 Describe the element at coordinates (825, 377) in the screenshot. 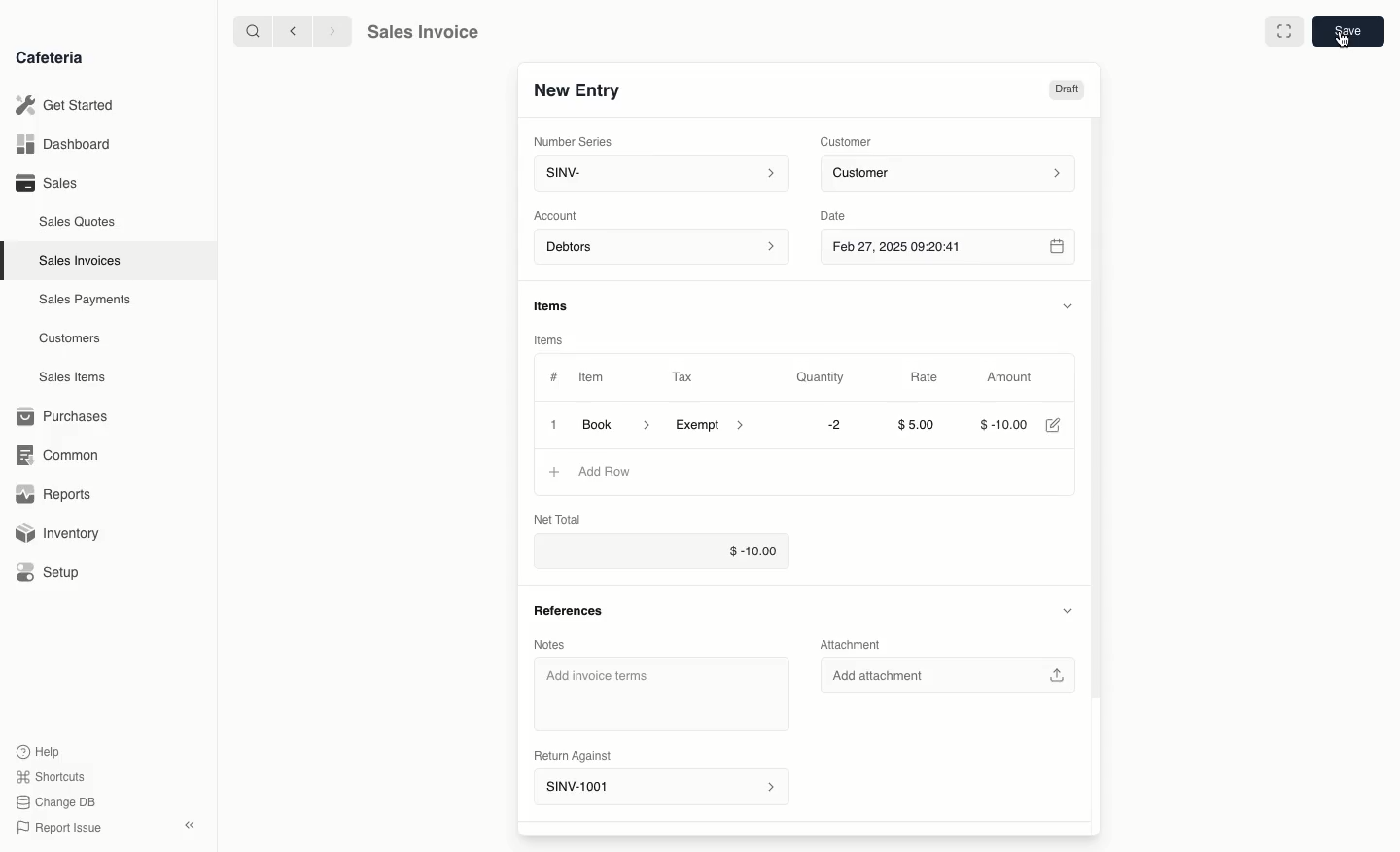

I see `Quantity` at that location.